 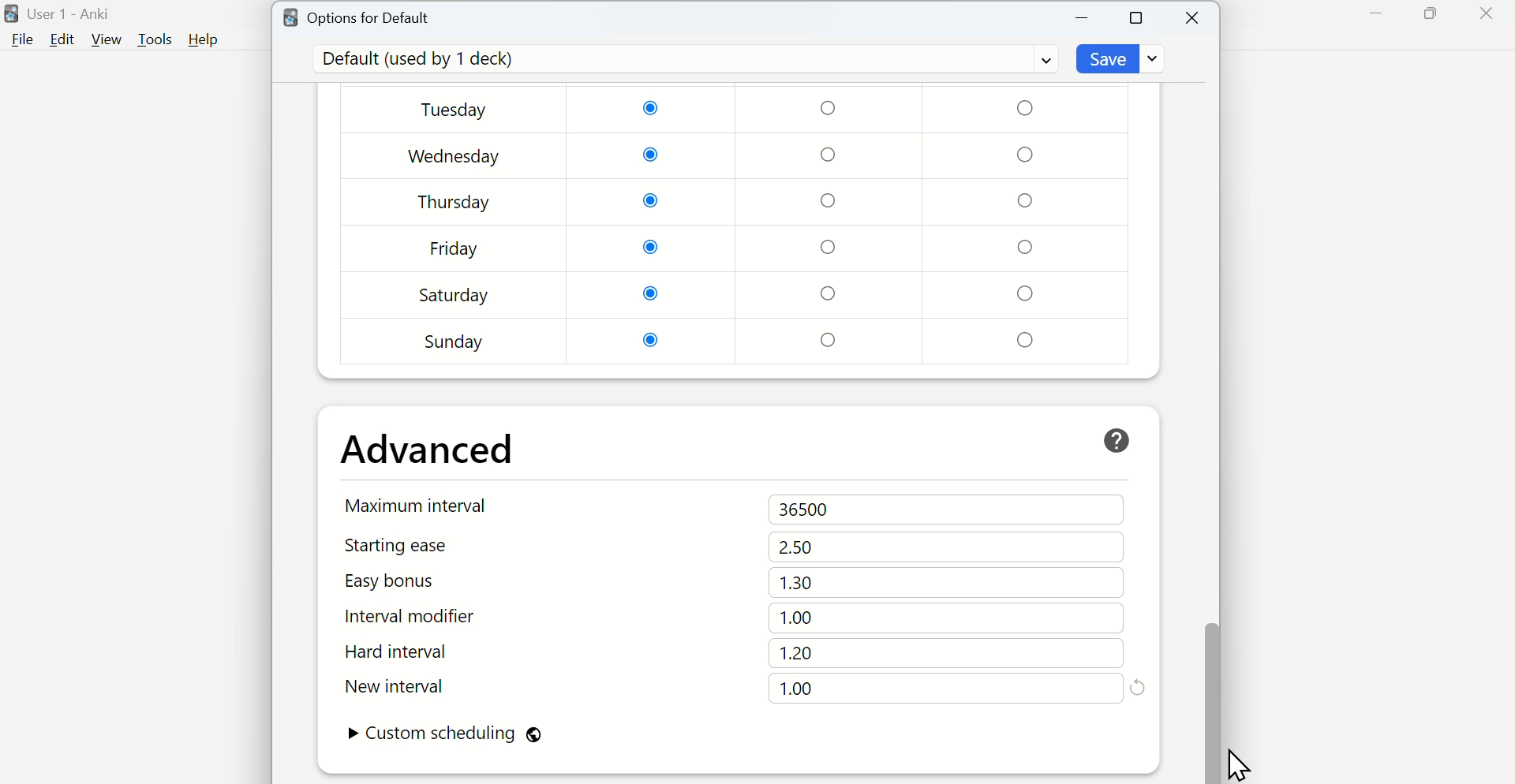 What do you see at coordinates (157, 39) in the screenshot?
I see `Tools` at bounding box center [157, 39].